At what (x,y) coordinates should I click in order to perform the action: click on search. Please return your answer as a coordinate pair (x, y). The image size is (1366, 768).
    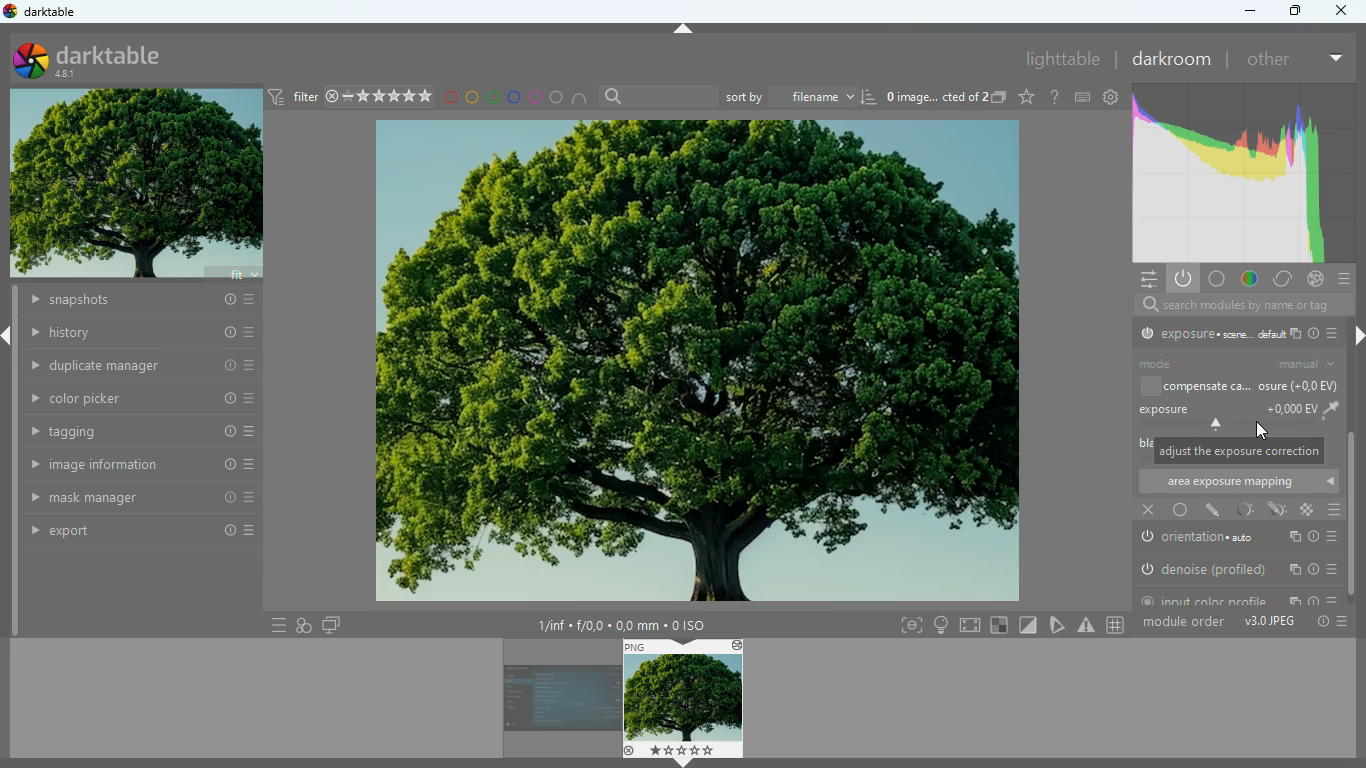
    Looking at the image, I should click on (656, 95).